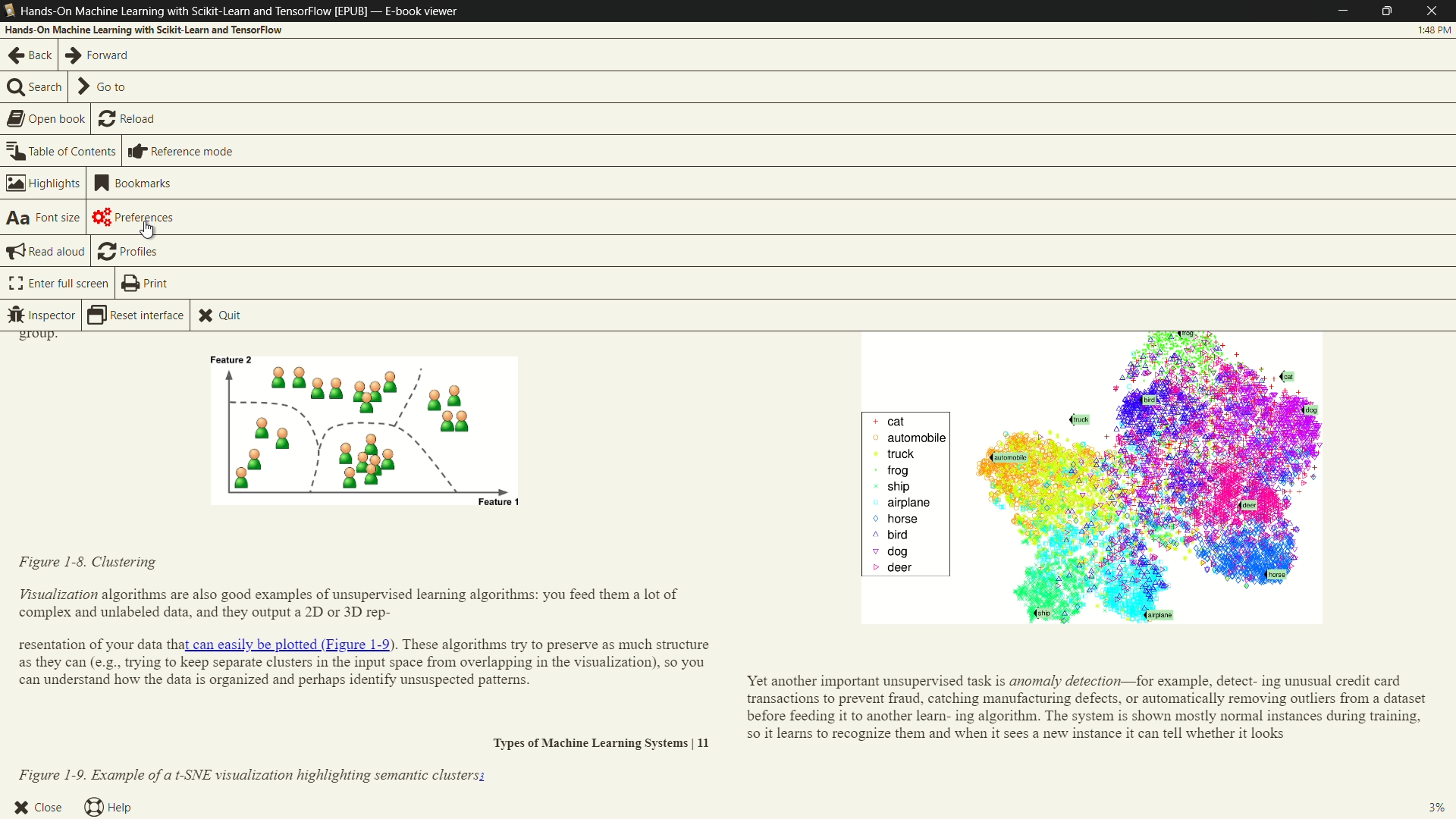  What do you see at coordinates (107, 808) in the screenshot?
I see `help` at bounding box center [107, 808].